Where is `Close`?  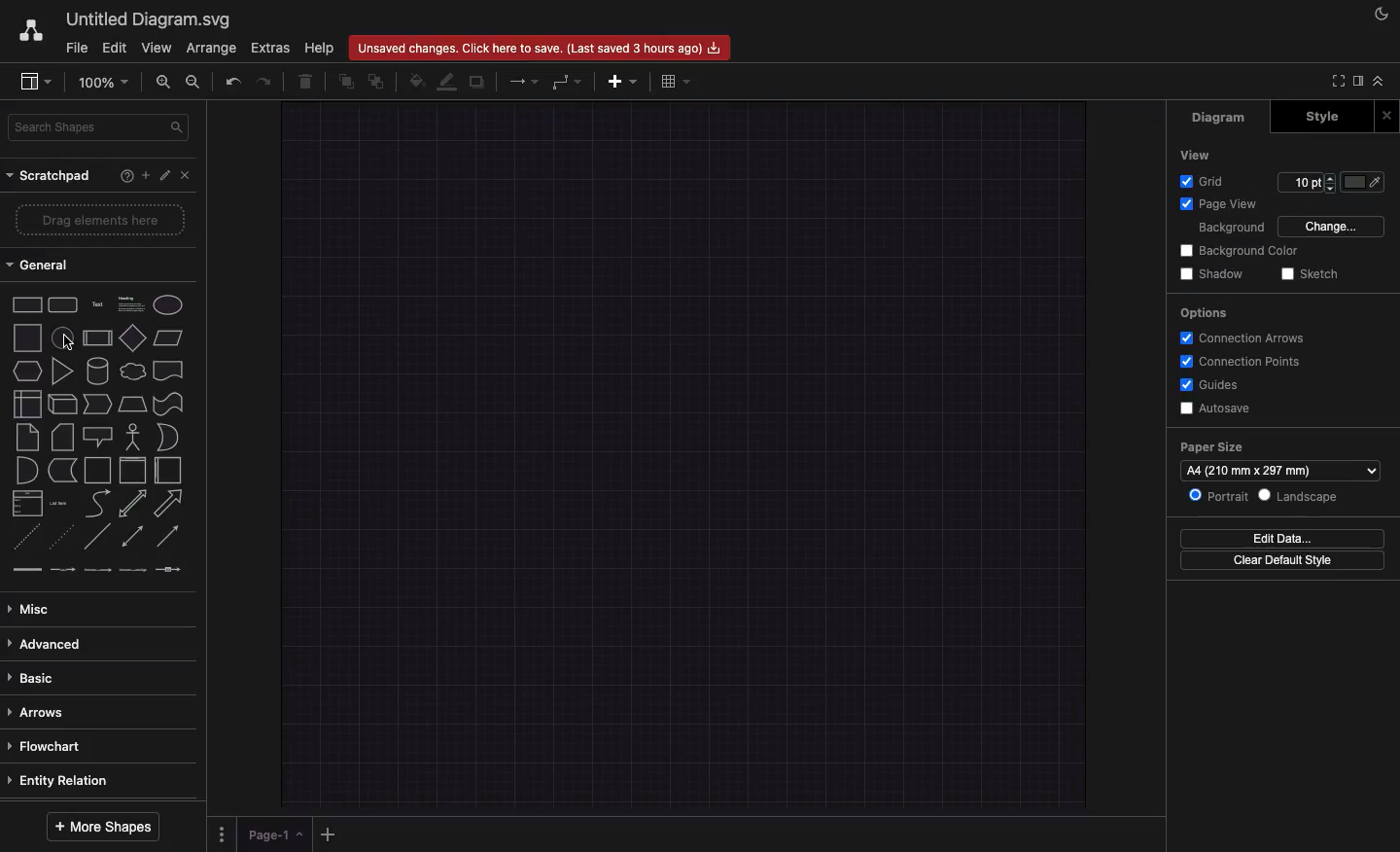 Close is located at coordinates (1387, 114).